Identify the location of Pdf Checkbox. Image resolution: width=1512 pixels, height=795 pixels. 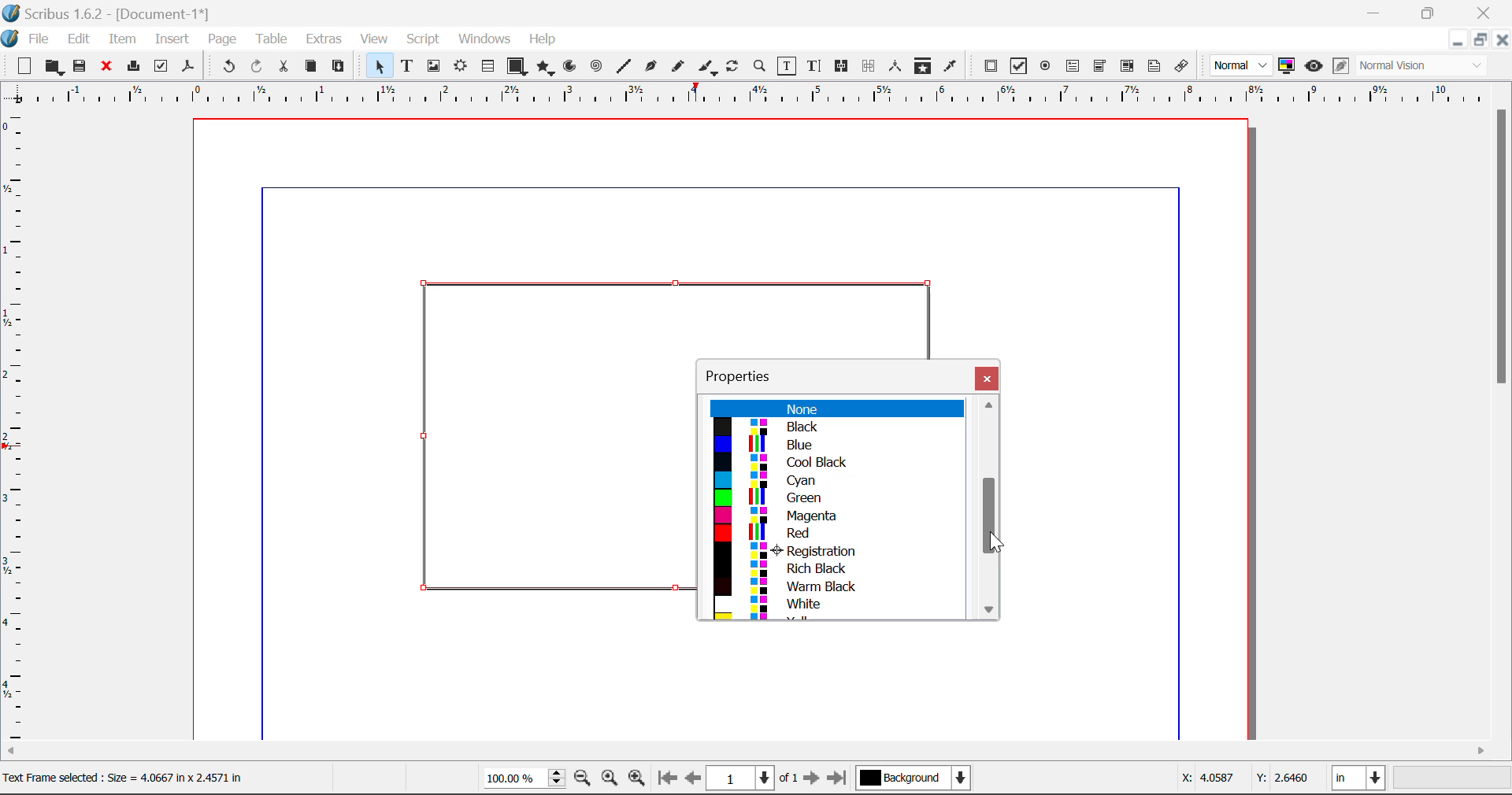
(1019, 66).